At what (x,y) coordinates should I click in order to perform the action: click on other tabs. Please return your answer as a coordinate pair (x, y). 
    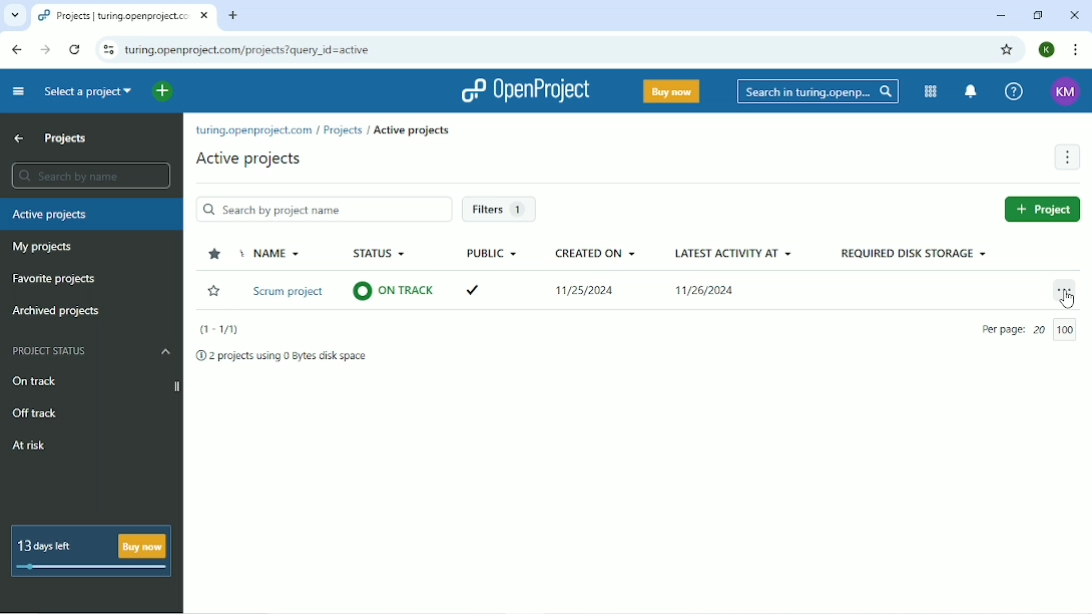
    Looking at the image, I should click on (13, 17).